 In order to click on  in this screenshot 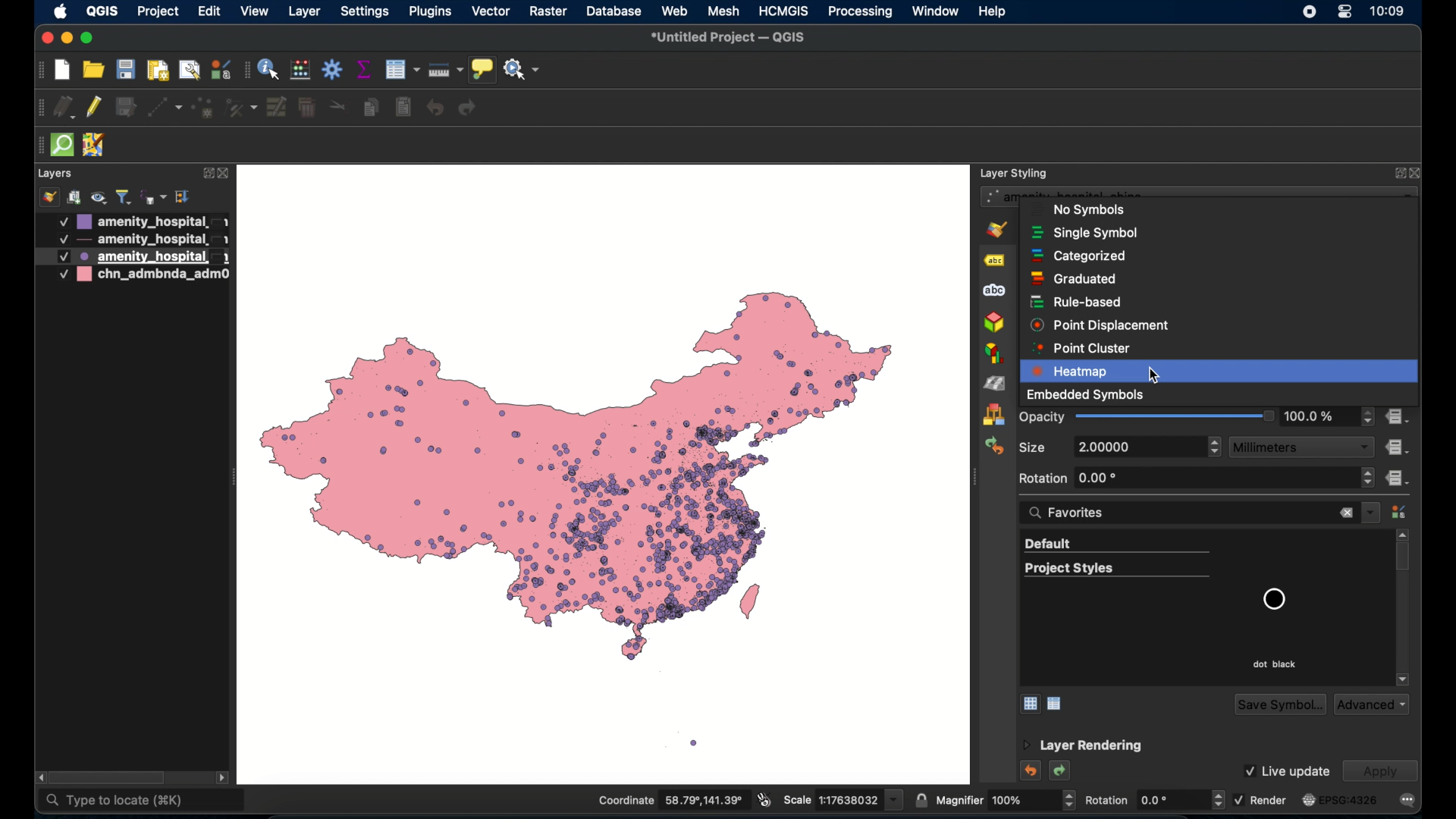, I will do `click(1155, 376)`.